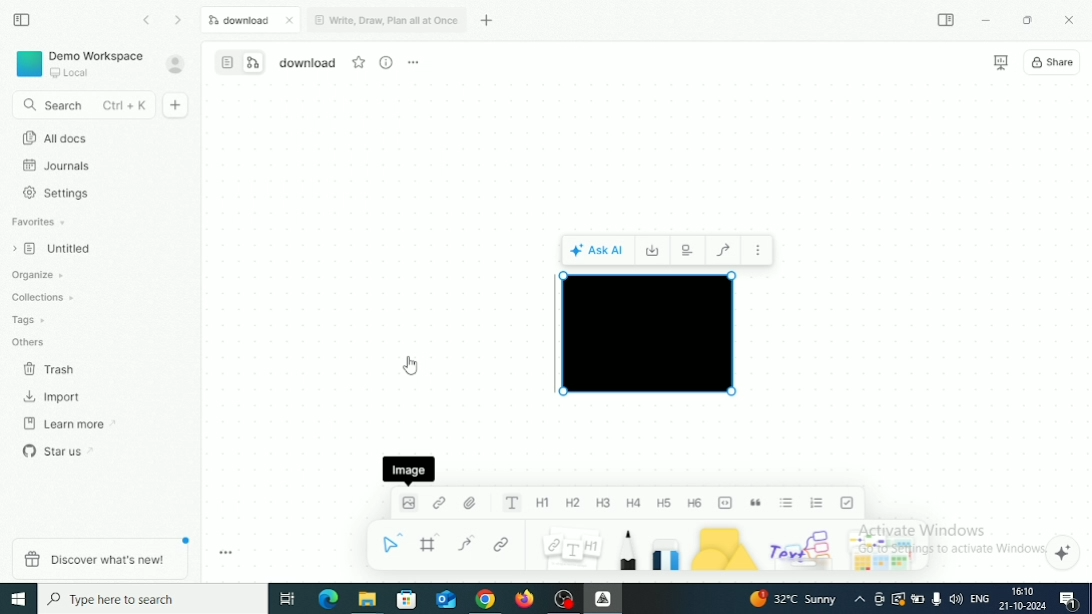 The width and height of the screenshot is (1092, 614). What do you see at coordinates (687, 249) in the screenshot?
I see `Add Caption` at bounding box center [687, 249].